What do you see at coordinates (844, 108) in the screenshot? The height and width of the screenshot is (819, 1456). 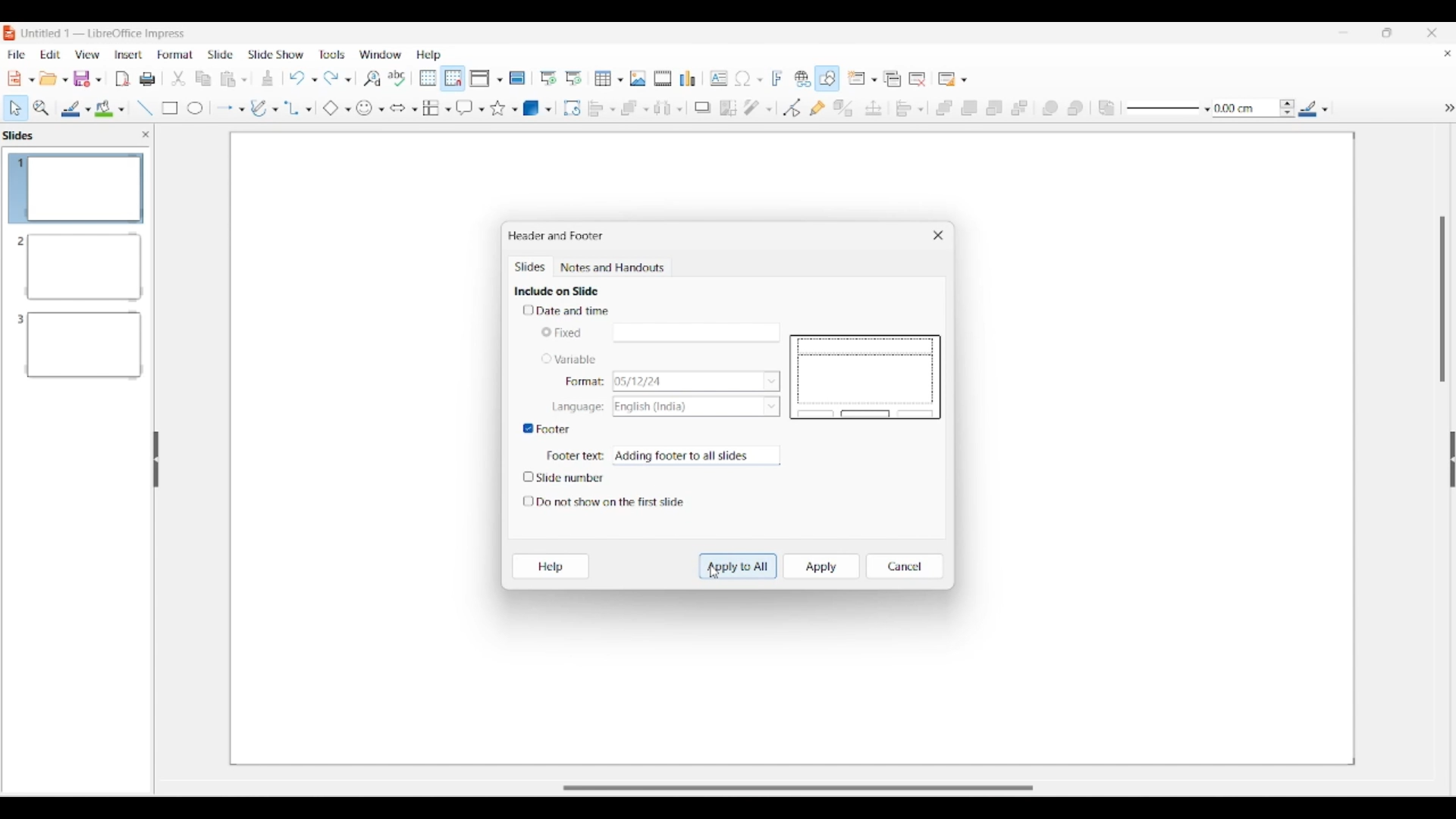 I see `Toggle extrusion` at bounding box center [844, 108].